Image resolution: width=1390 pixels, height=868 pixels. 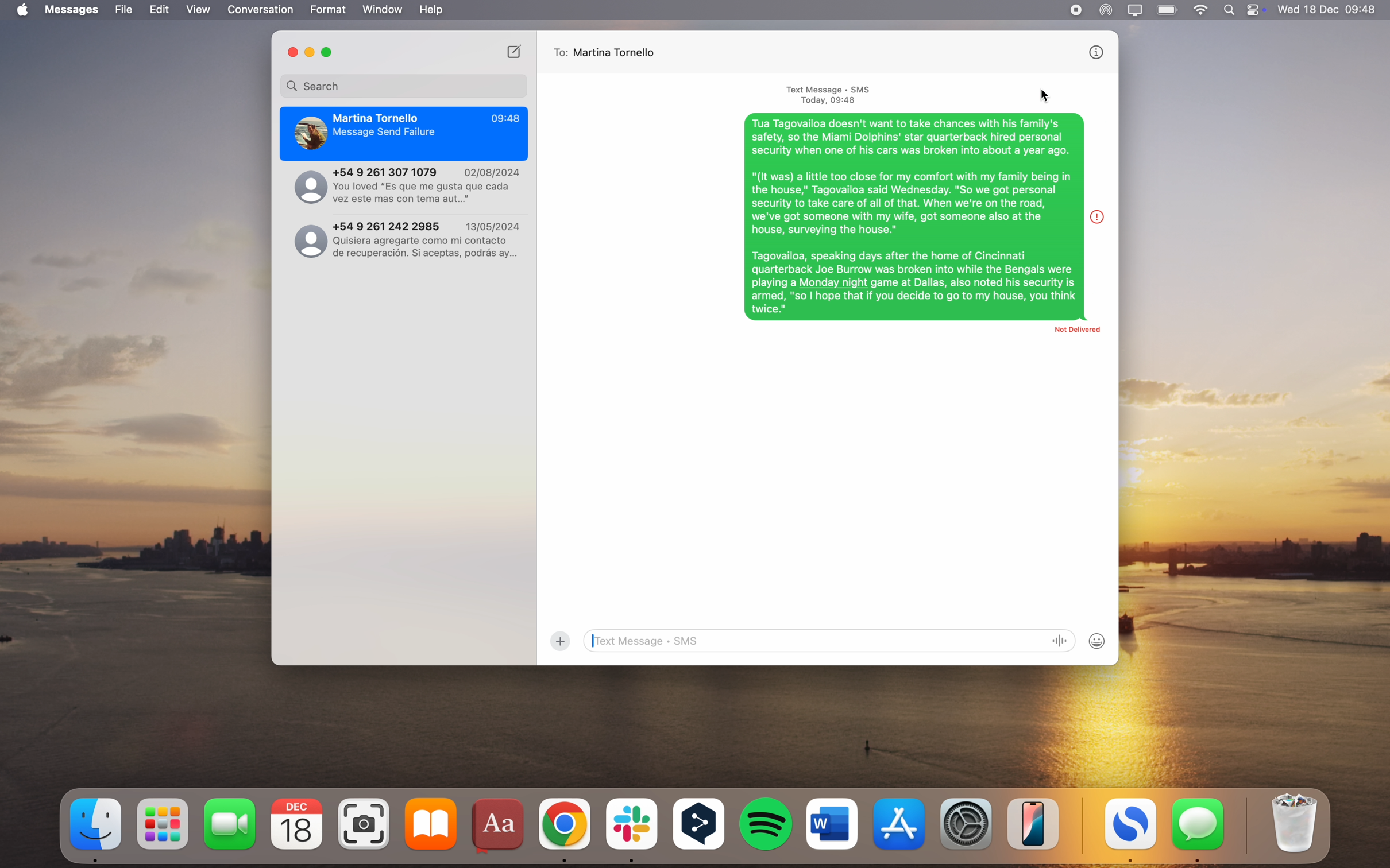 What do you see at coordinates (1136, 10) in the screenshot?
I see `screen` at bounding box center [1136, 10].